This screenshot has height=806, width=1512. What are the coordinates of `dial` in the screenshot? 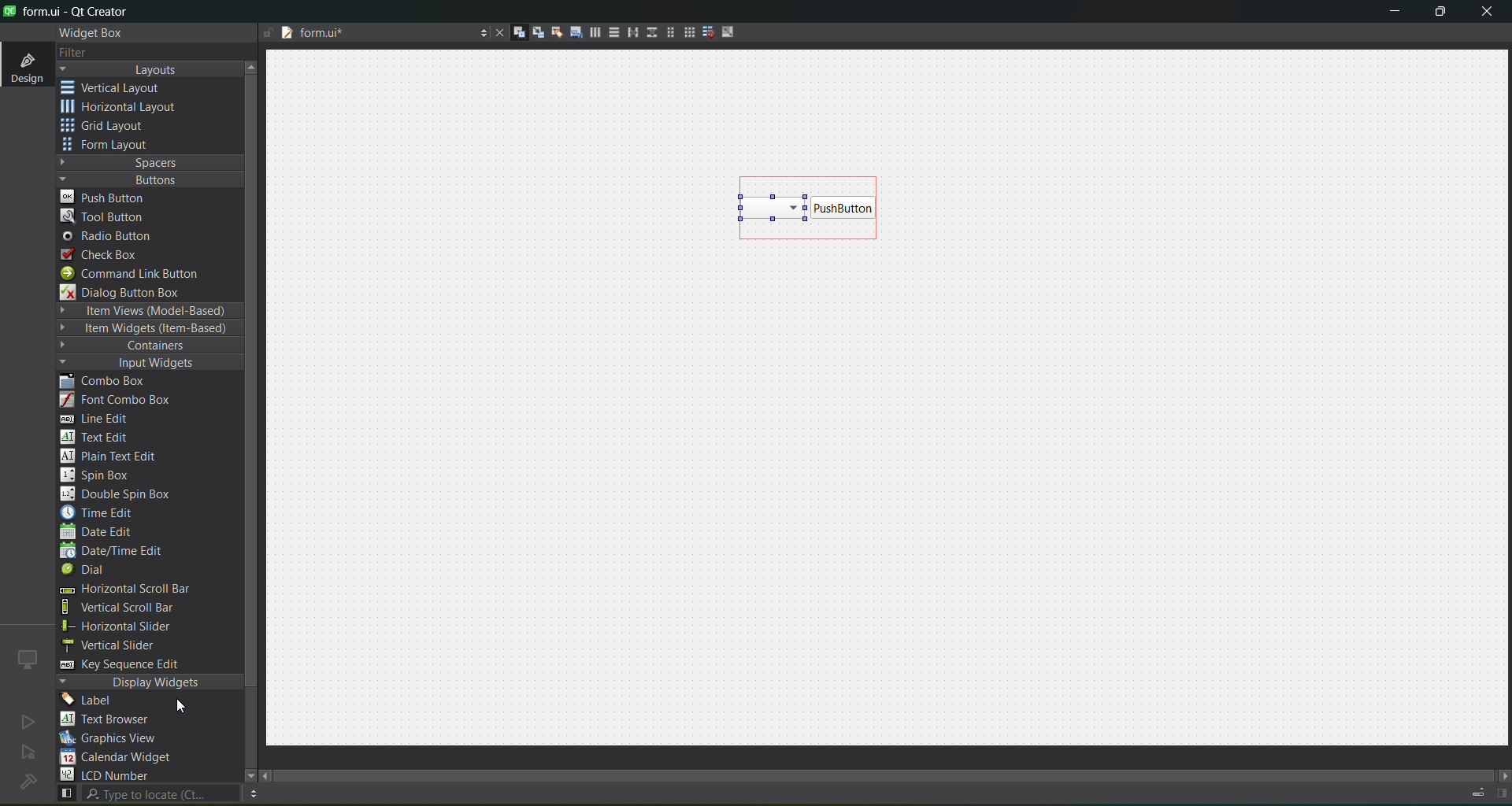 It's located at (88, 571).